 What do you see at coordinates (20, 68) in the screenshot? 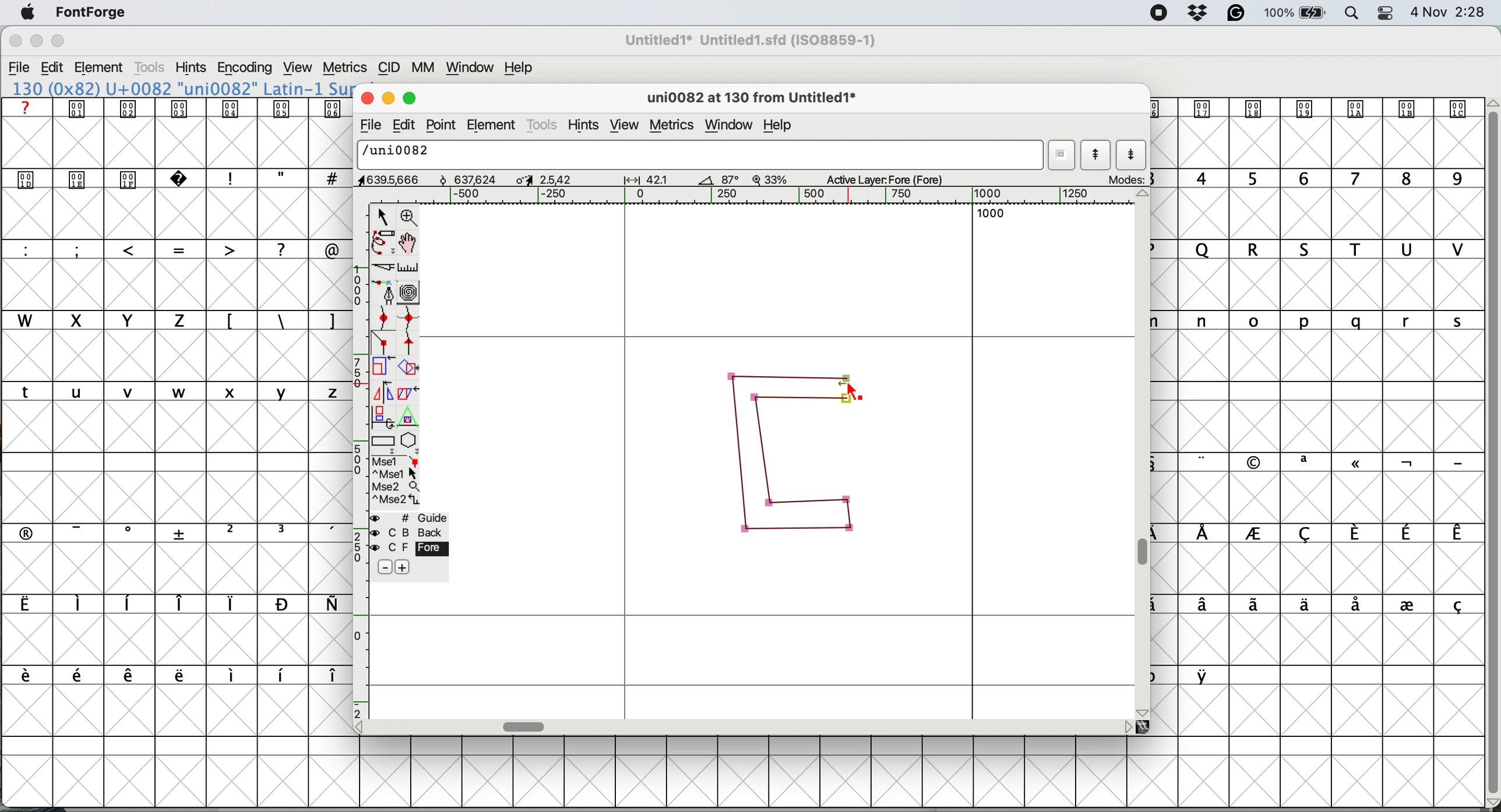
I see `file` at bounding box center [20, 68].